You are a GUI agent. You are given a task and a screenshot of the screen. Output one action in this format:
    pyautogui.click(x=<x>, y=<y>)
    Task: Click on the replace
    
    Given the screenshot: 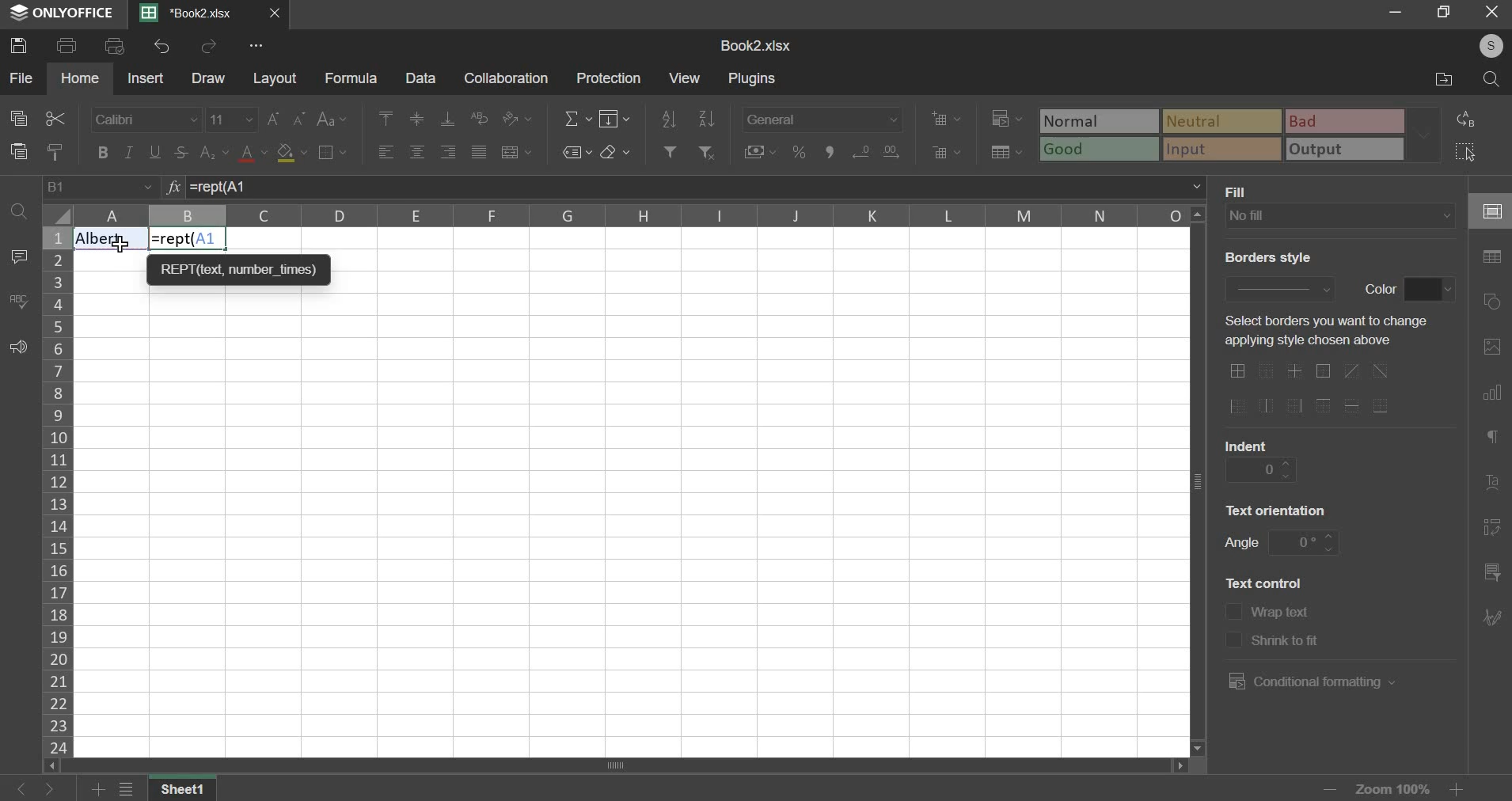 What is the action you would take?
    pyautogui.click(x=1471, y=120)
    